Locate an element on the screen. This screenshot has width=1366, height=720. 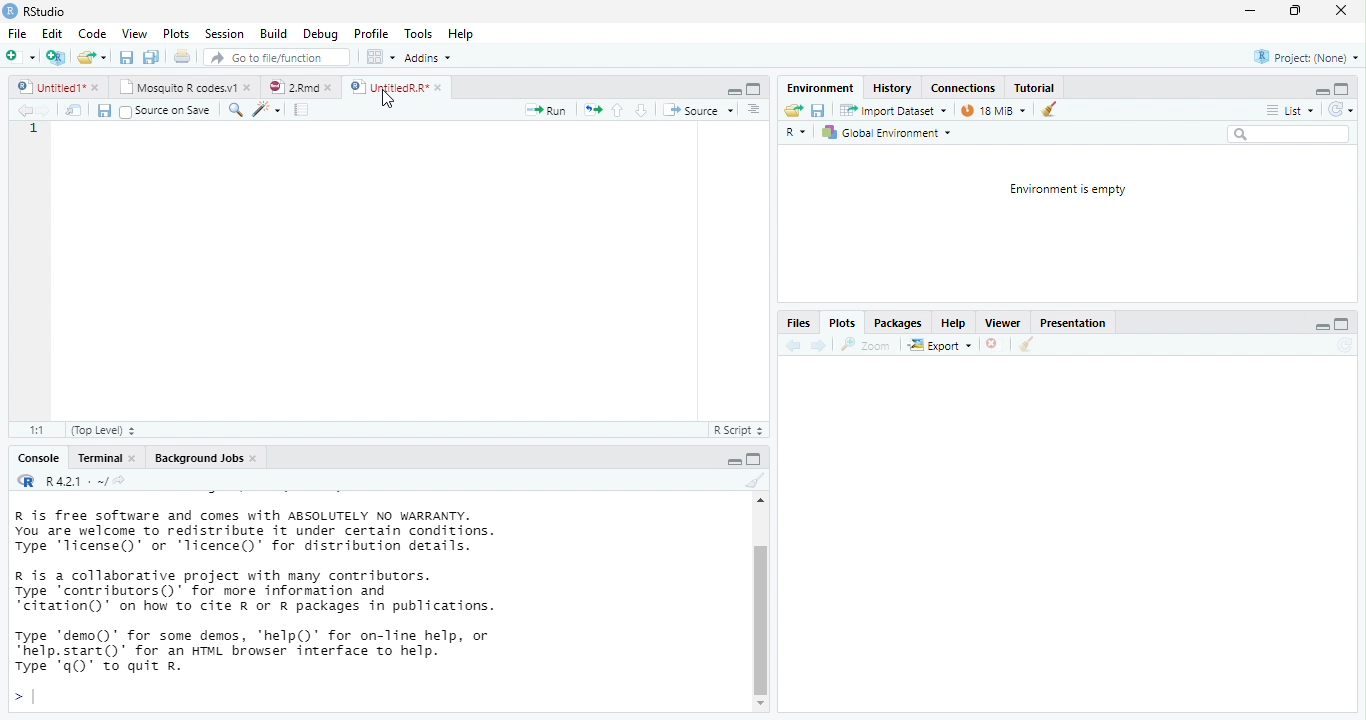
R Script is located at coordinates (736, 430).